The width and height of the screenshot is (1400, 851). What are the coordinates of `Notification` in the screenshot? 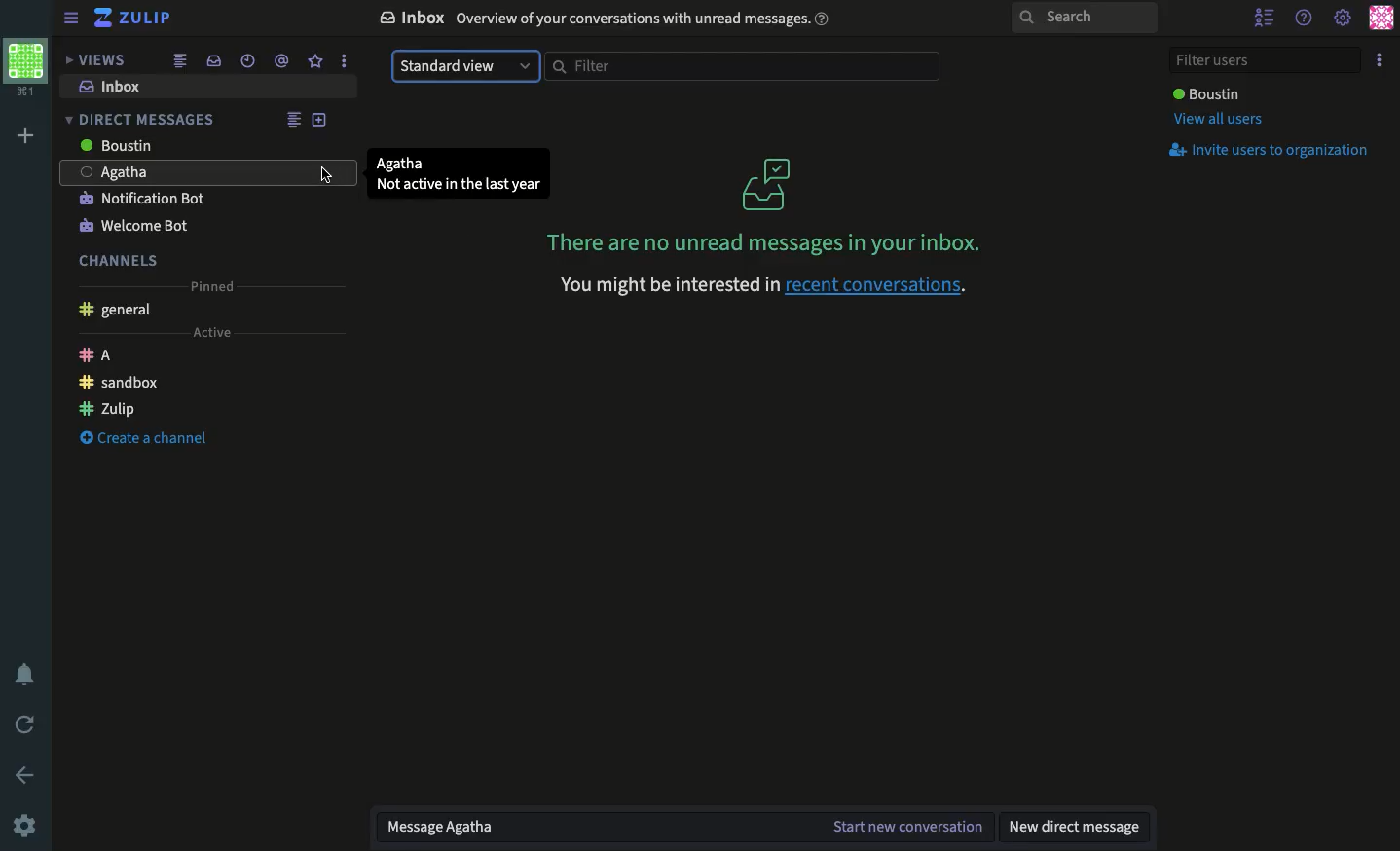 It's located at (28, 674).